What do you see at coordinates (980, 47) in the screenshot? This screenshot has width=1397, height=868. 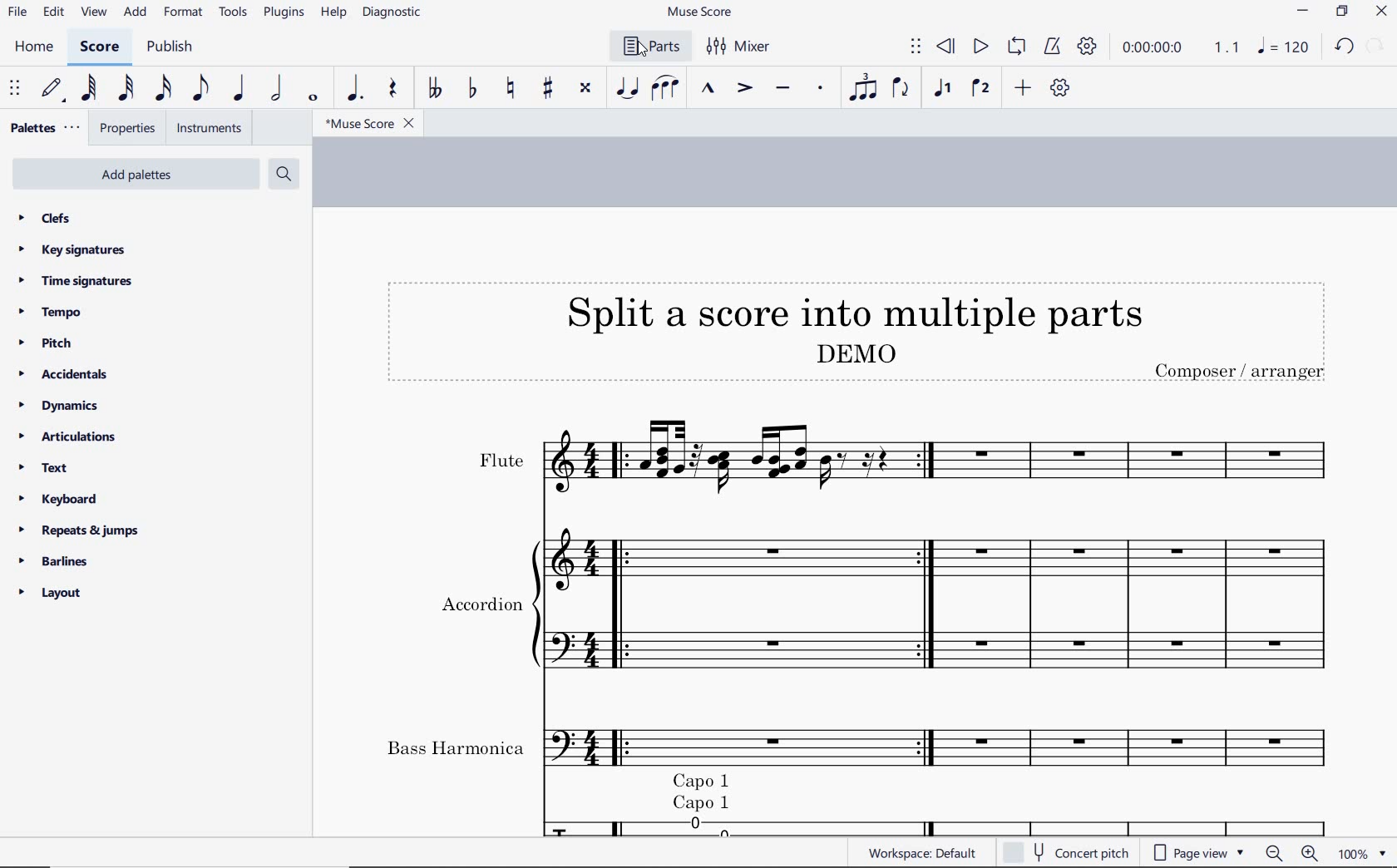 I see `play` at bounding box center [980, 47].